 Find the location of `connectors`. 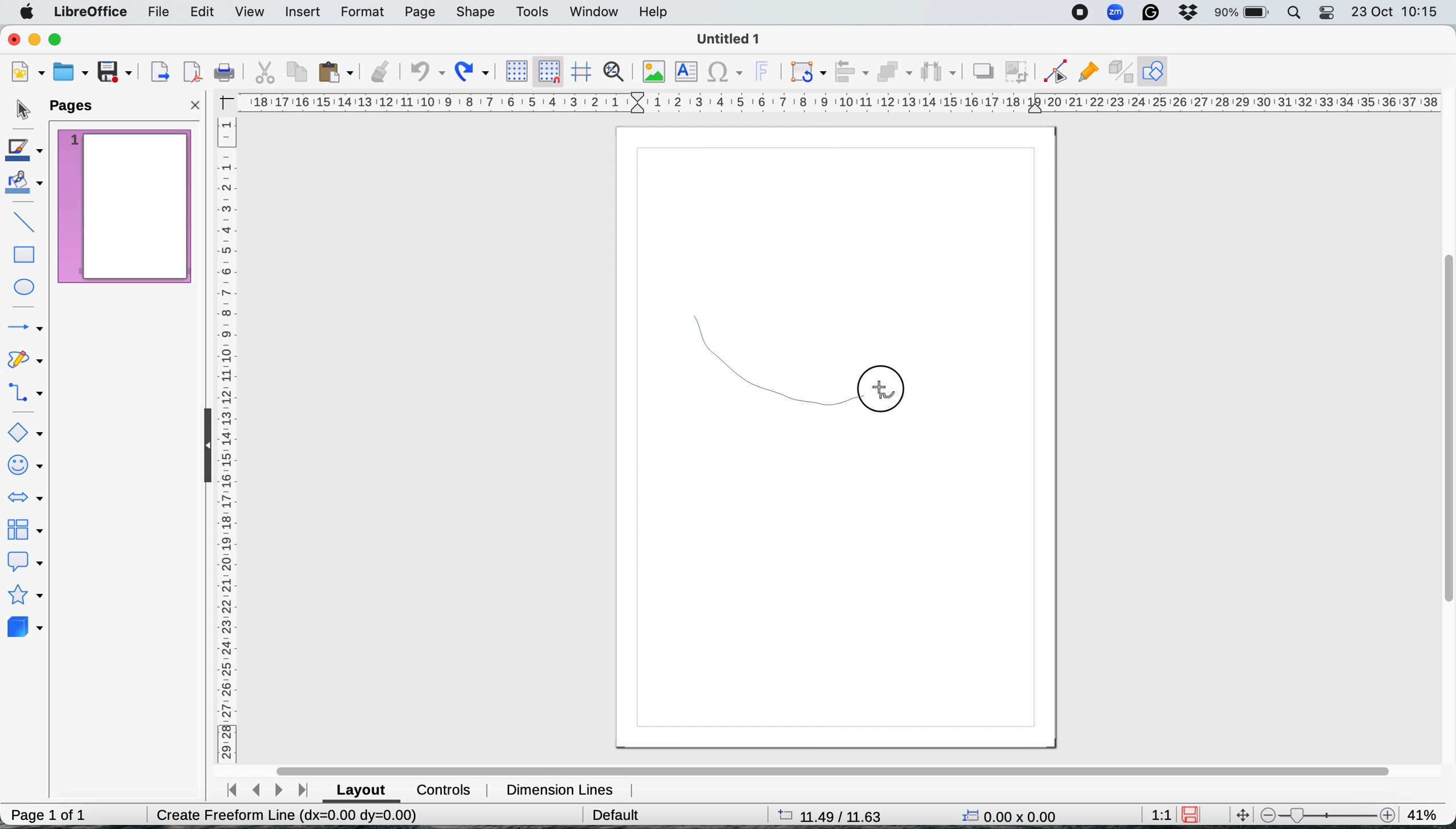

connectors is located at coordinates (27, 393).